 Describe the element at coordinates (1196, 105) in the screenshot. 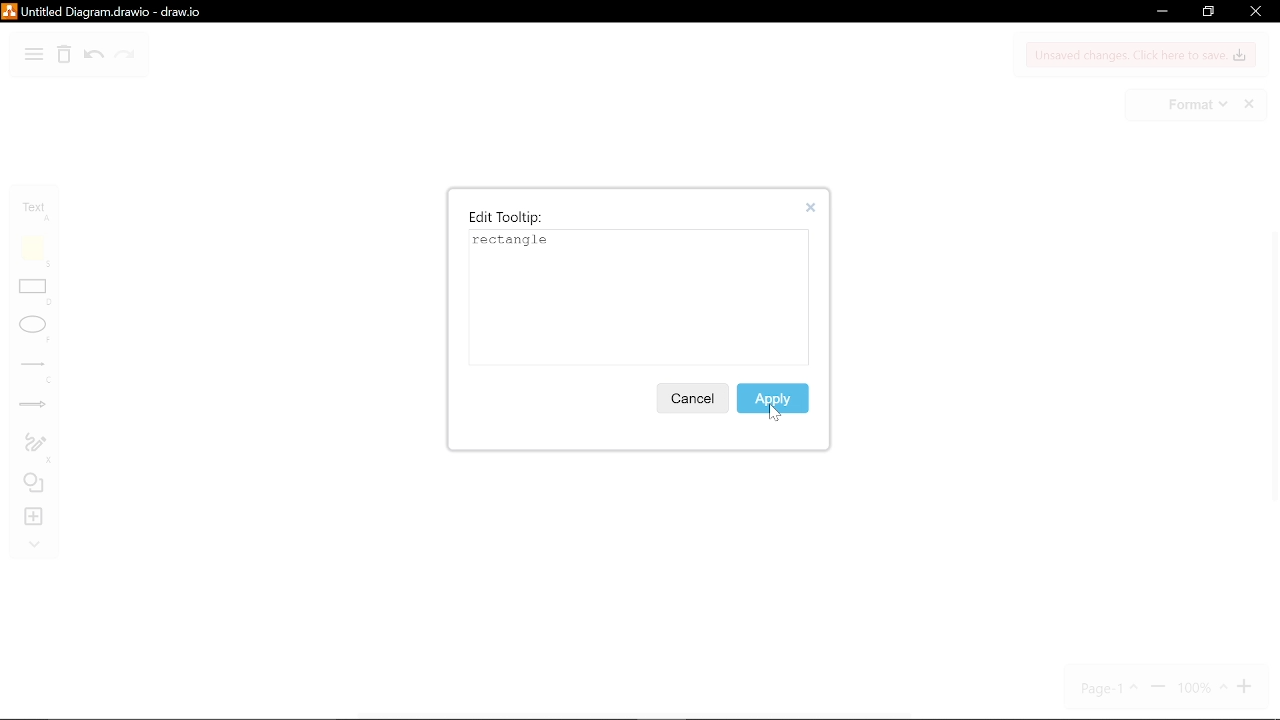

I see `format` at that location.